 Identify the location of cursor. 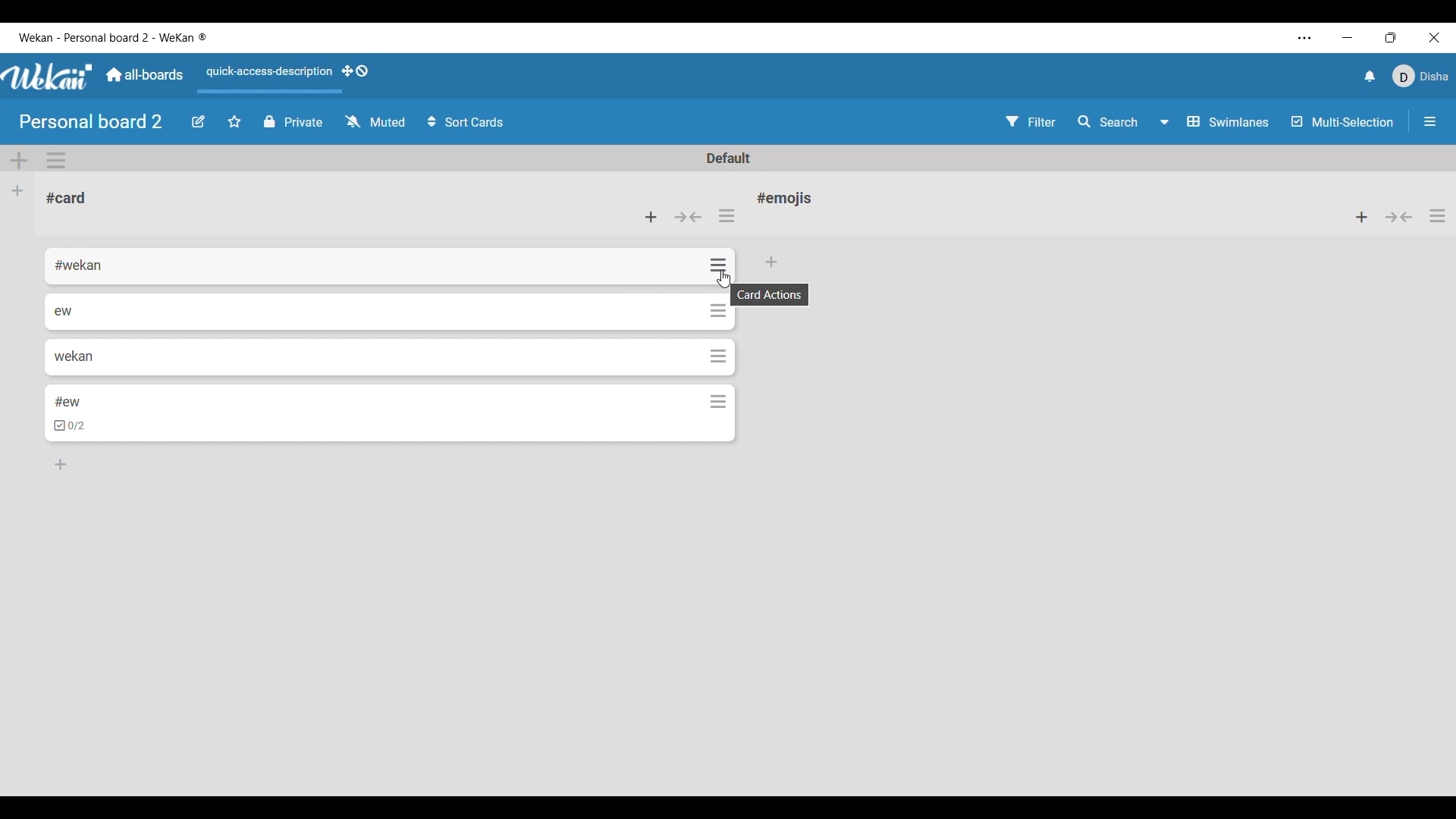
(723, 281).